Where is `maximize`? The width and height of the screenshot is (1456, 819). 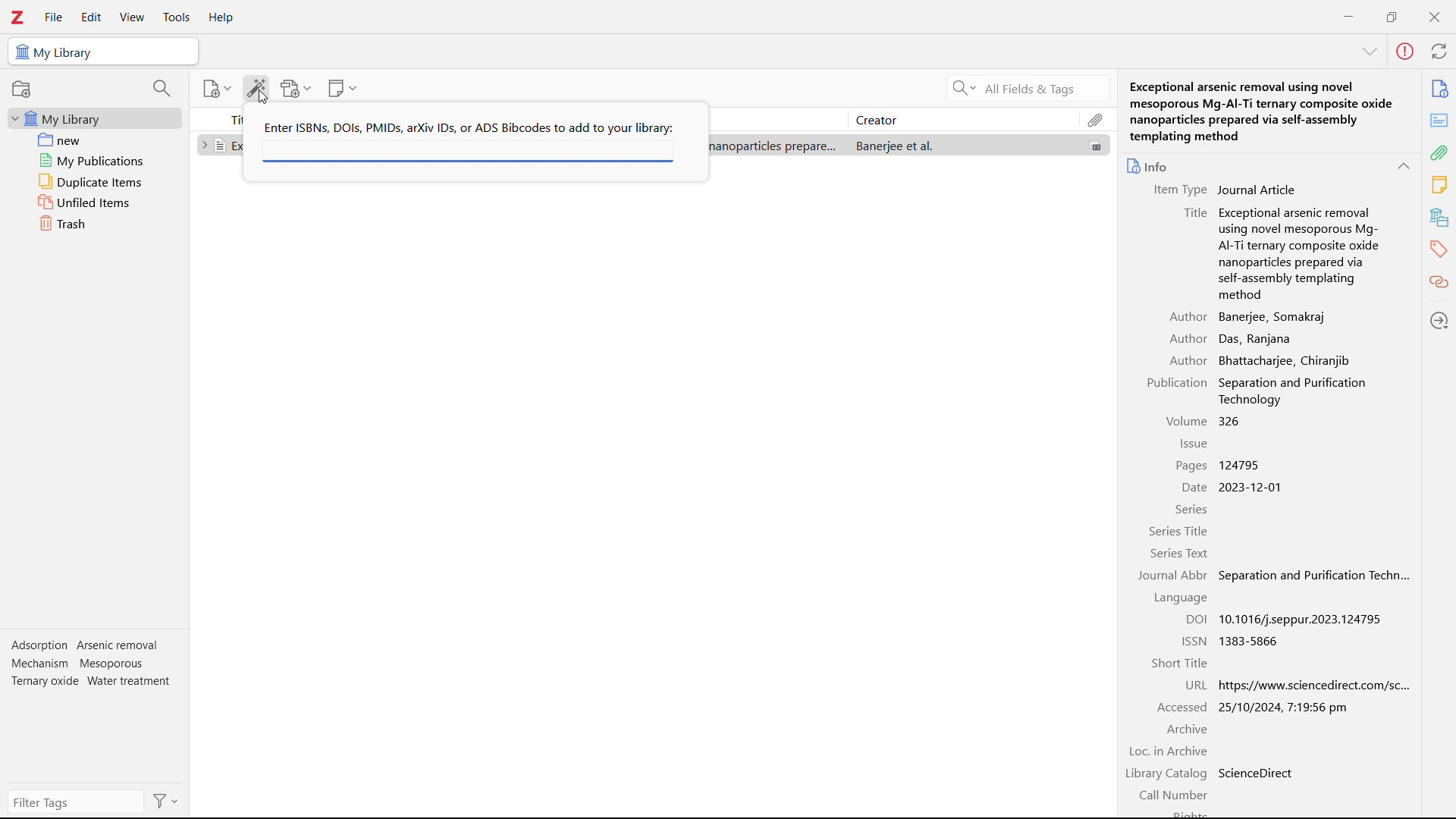 maximize is located at coordinates (1392, 15).